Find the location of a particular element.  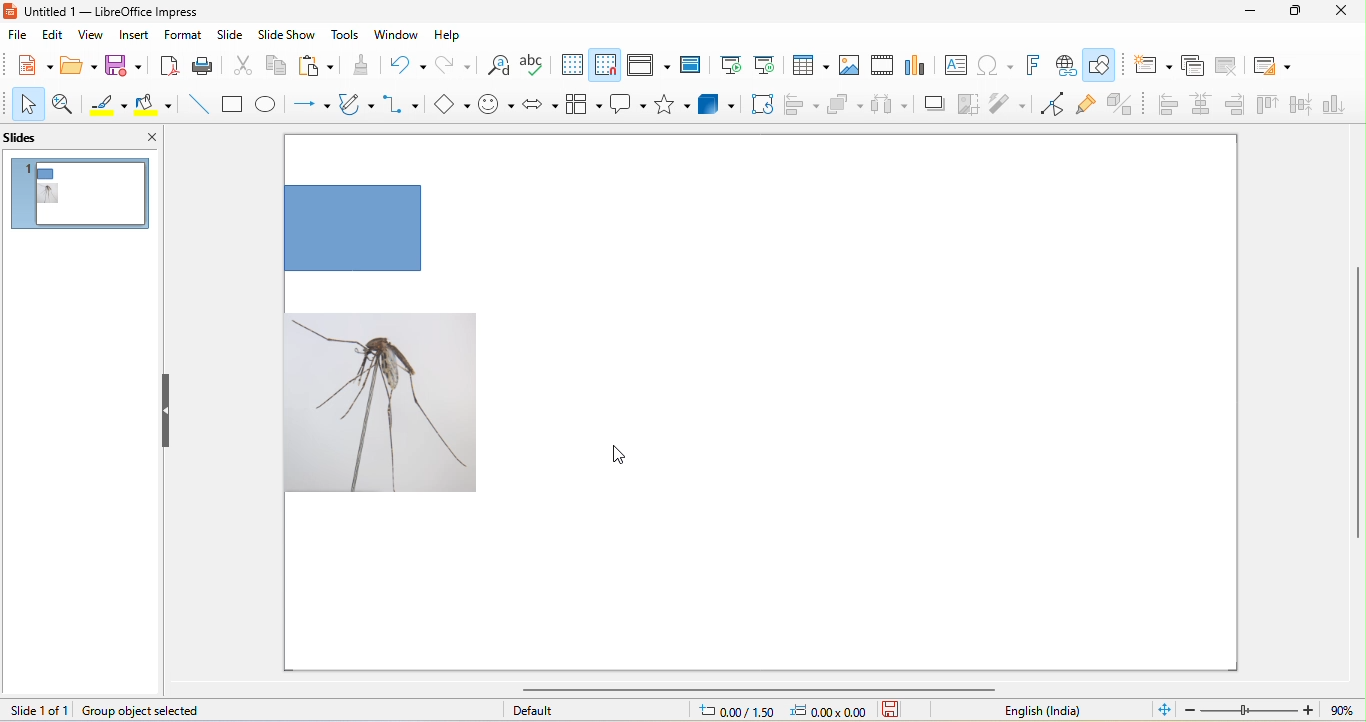

basic shapes is located at coordinates (450, 106).